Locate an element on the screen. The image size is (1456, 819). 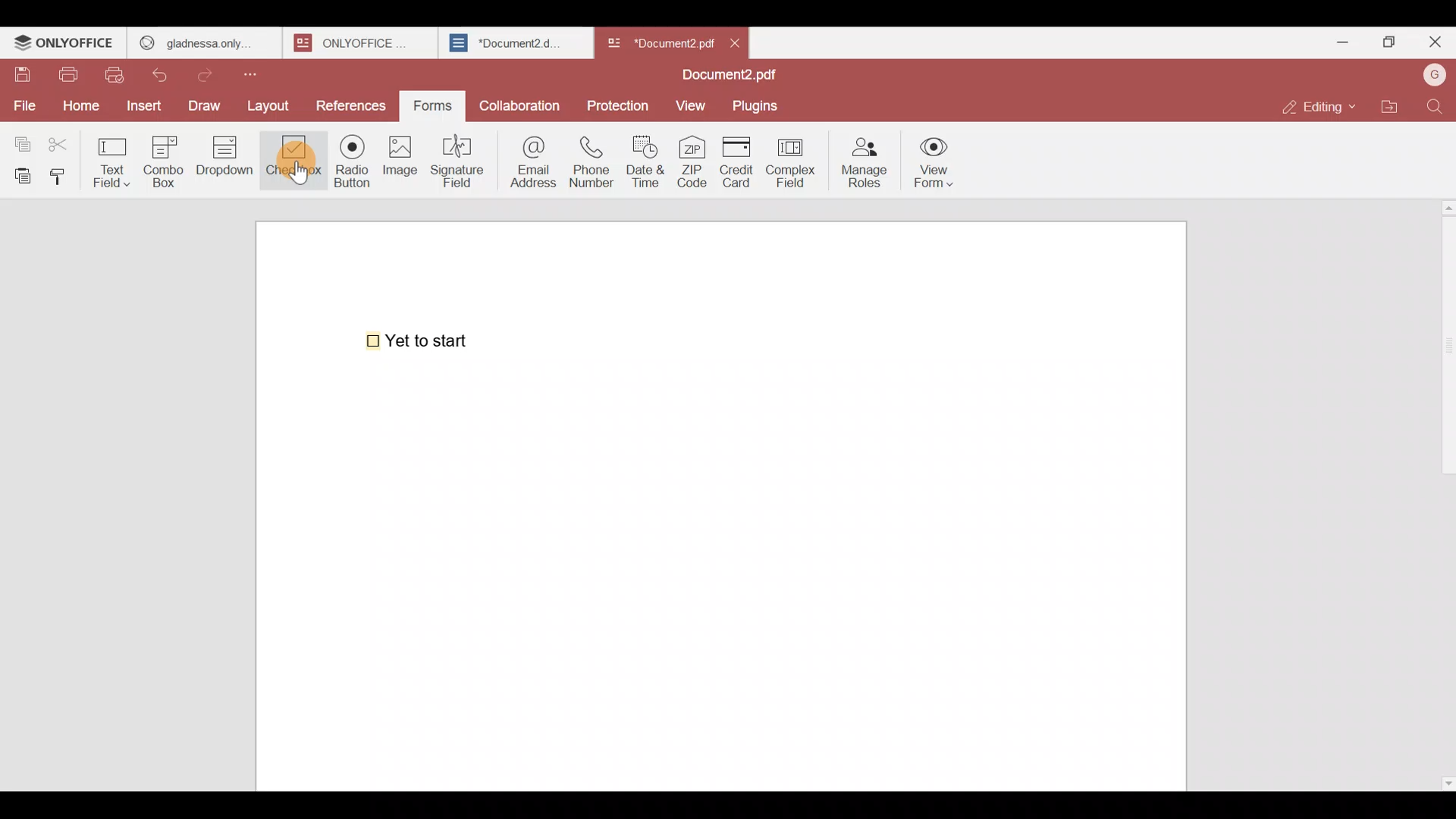
Open file location is located at coordinates (1389, 105).